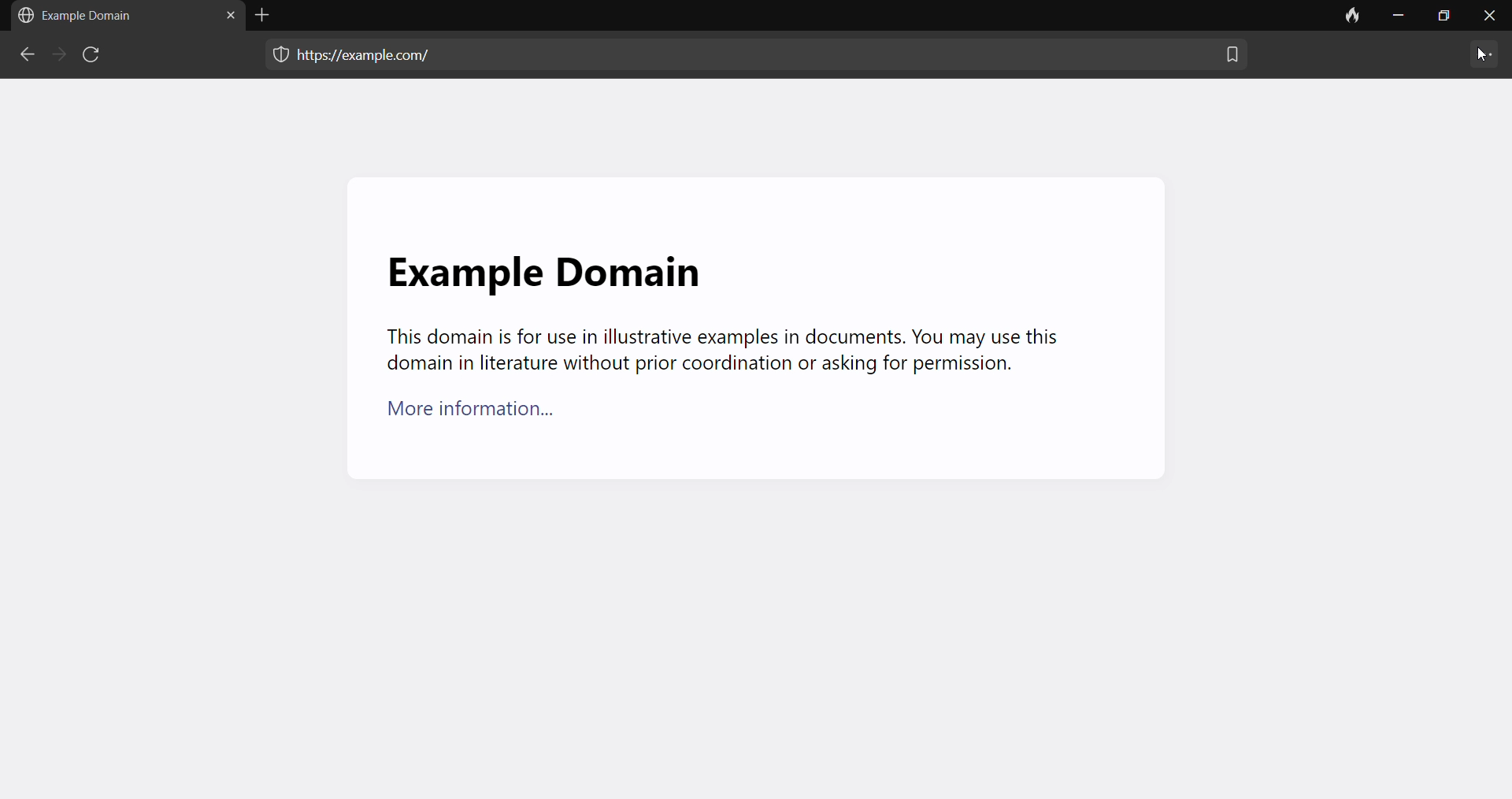 The width and height of the screenshot is (1512, 799). I want to click on reload, so click(94, 58).